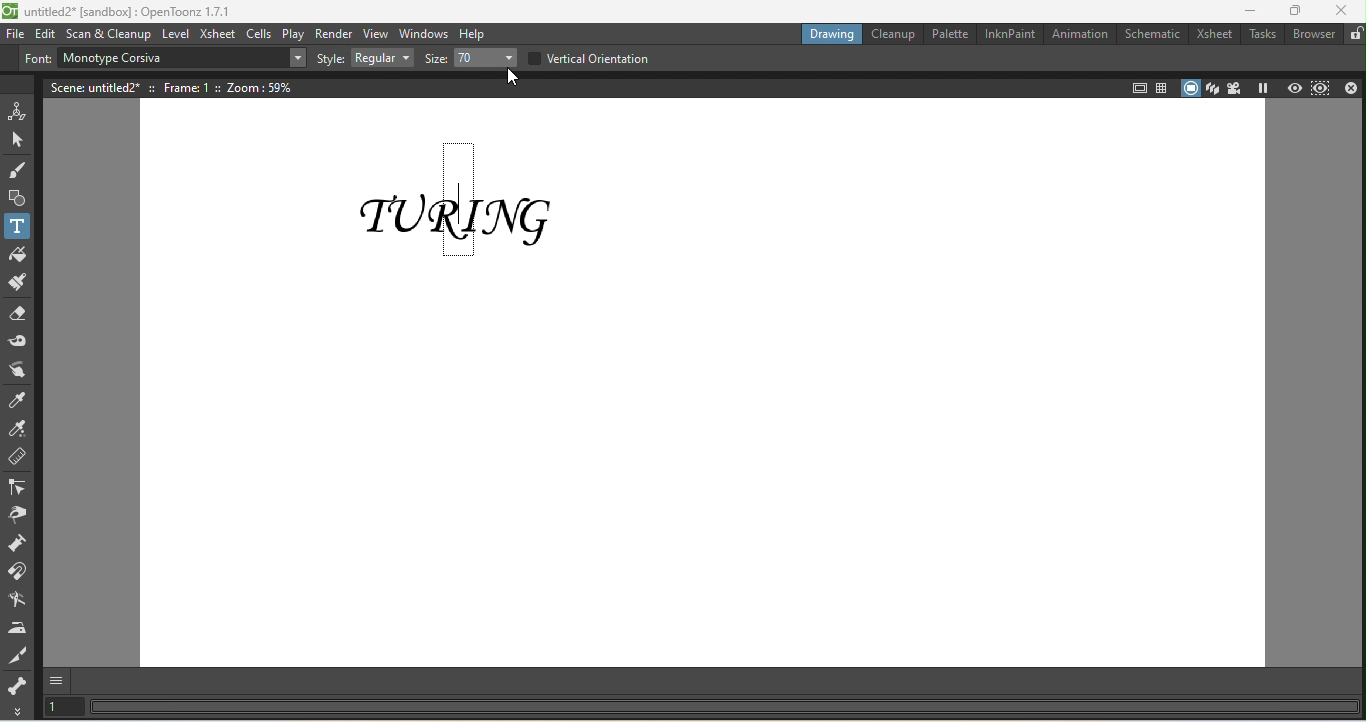 Image resolution: width=1366 pixels, height=722 pixels. What do you see at coordinates (1351, 87) in the screenshot?
I see `Close` at bounding box center [1351, 87].